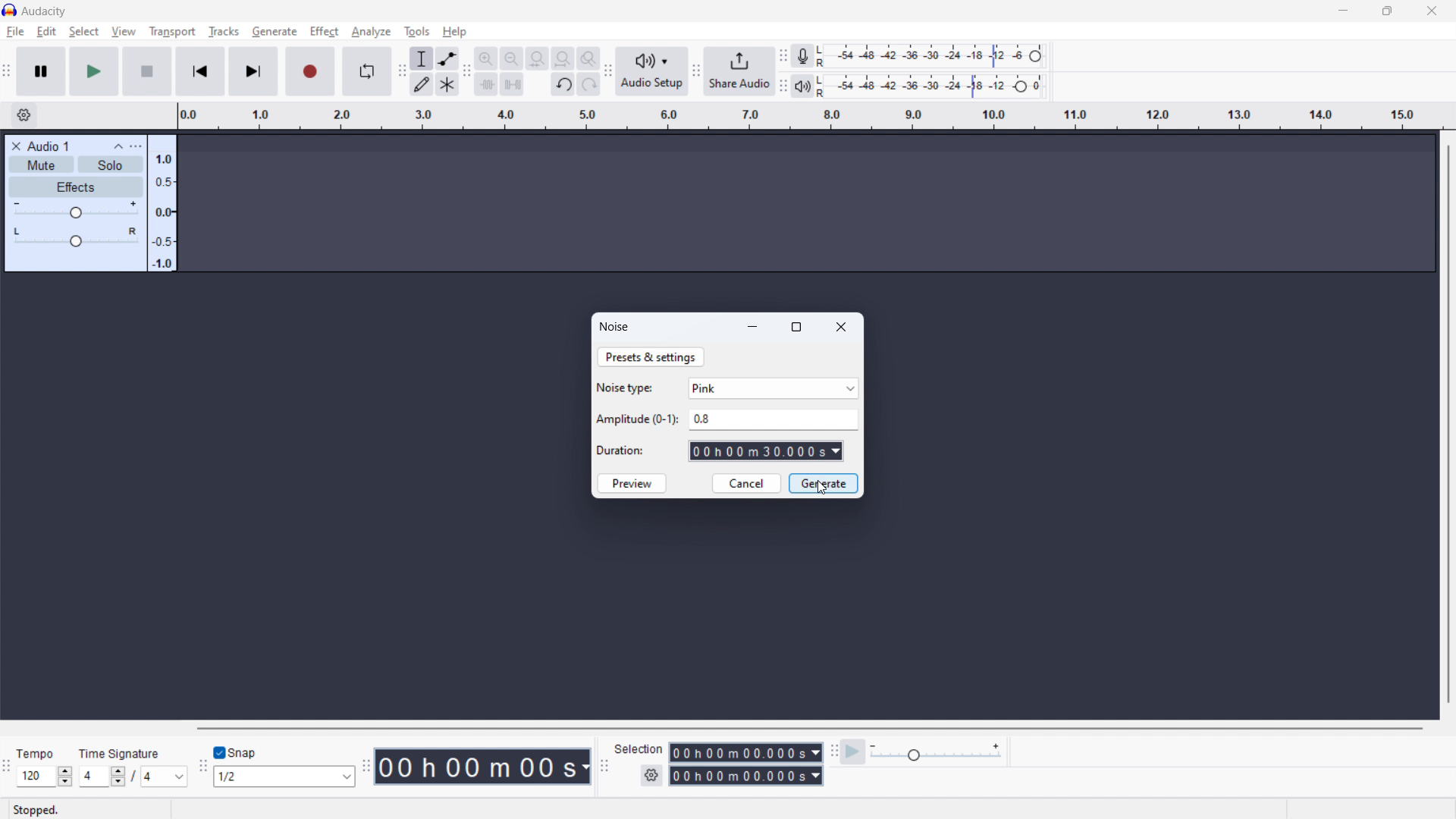 Image resolution: width=1456 pixels, height=819 pixels. I want to click on gain, so click(75, 210).